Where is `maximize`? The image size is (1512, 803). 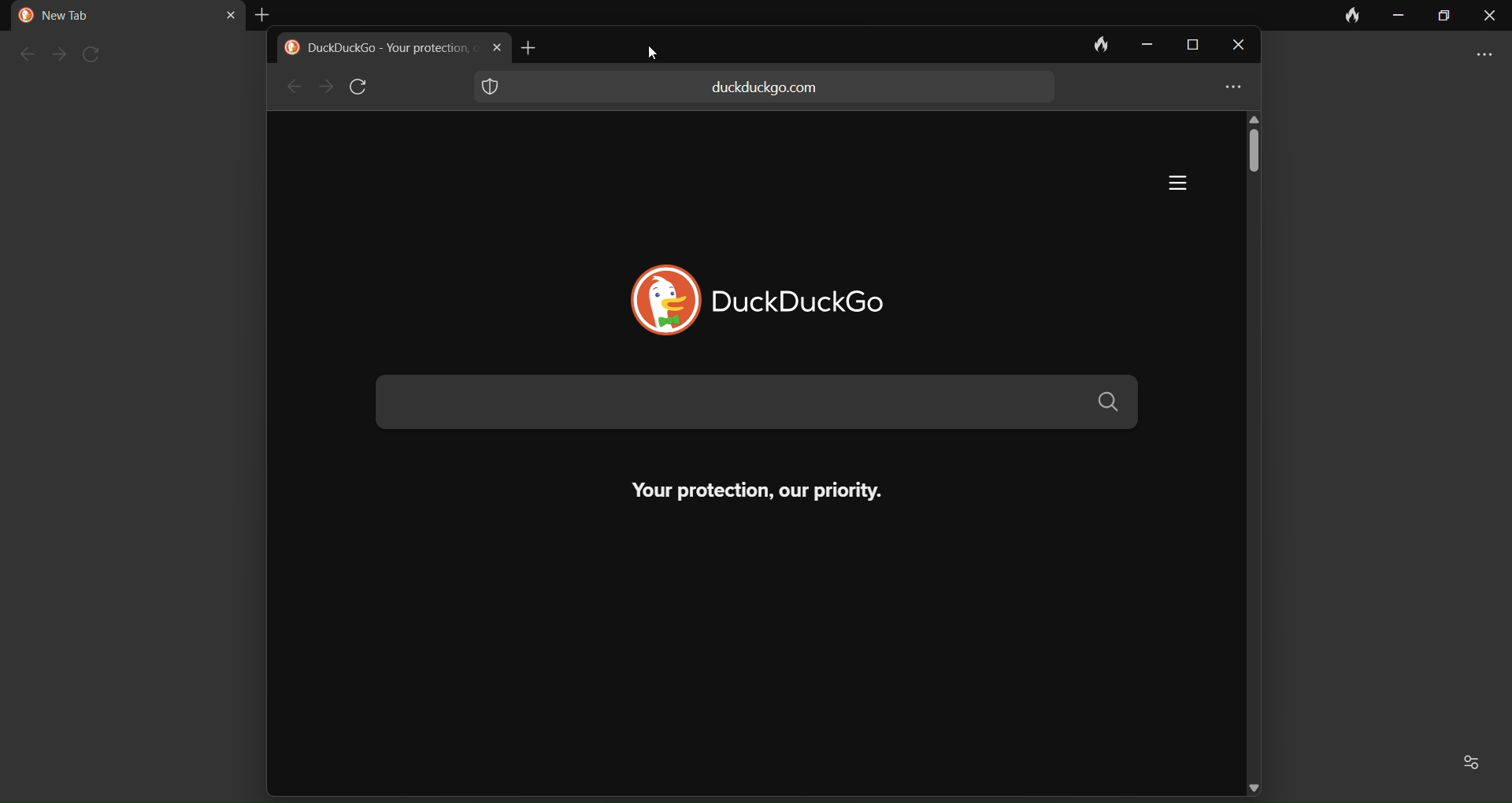 maximize is located at coordinates (1445, 17).